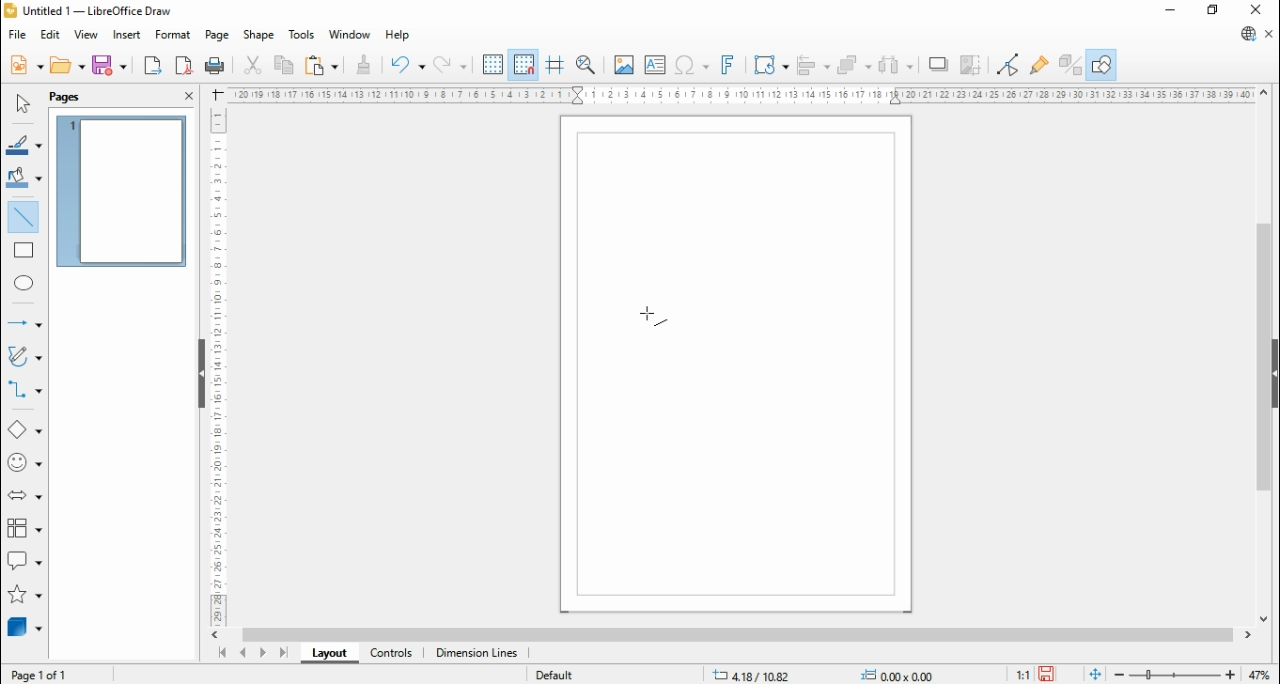 Image resolution: width=1280 pixels, height=684 pixels. What do you see at coordinates (763, 675) in the screenshot?
I see `-21.10/14.59` at bounding box center [763, 675].